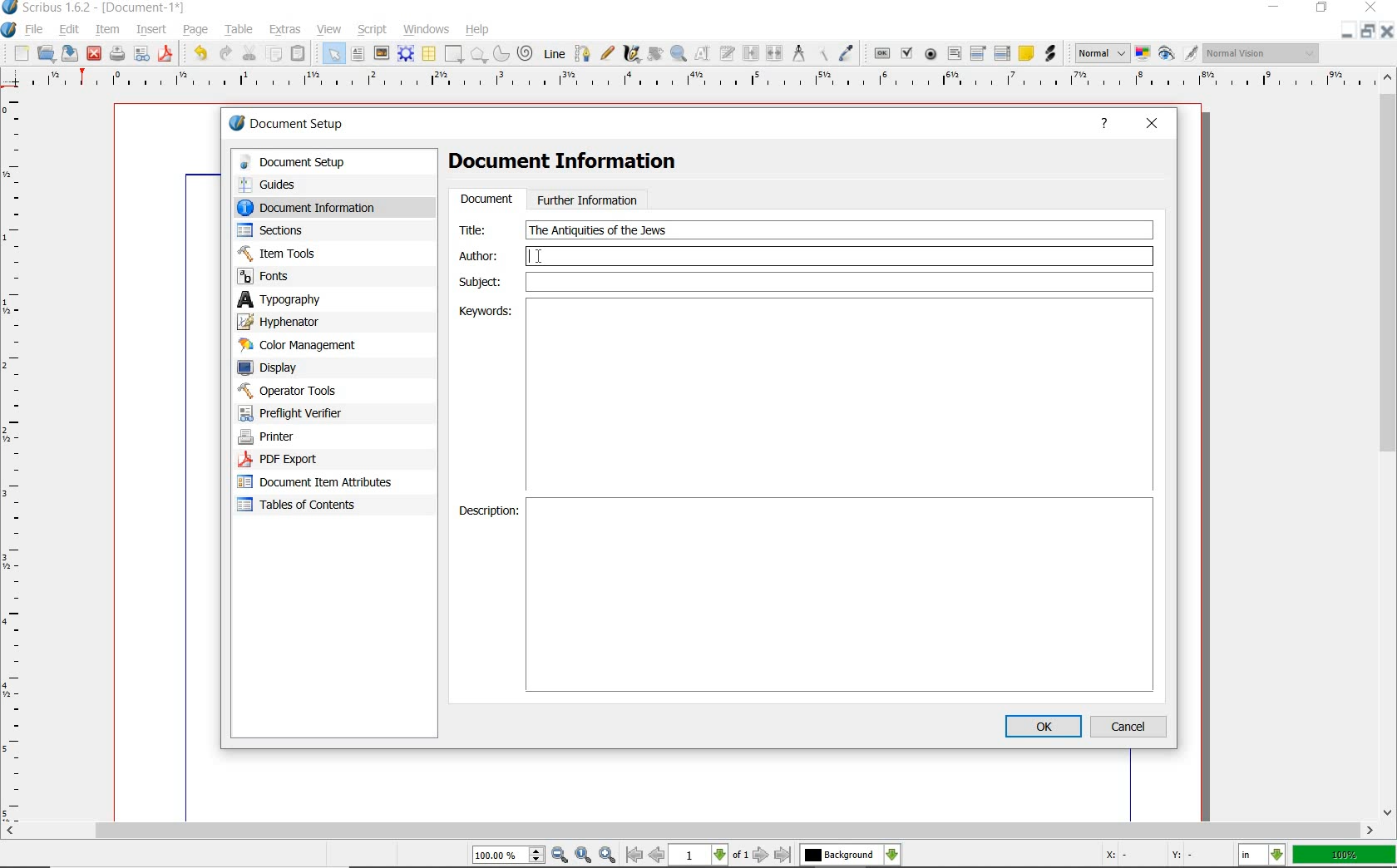 Image resolution: width=1397 pixels, height=868 pixels. Describe the element at coordinates (117, 55) in the screenshot. I see `print` at that location.